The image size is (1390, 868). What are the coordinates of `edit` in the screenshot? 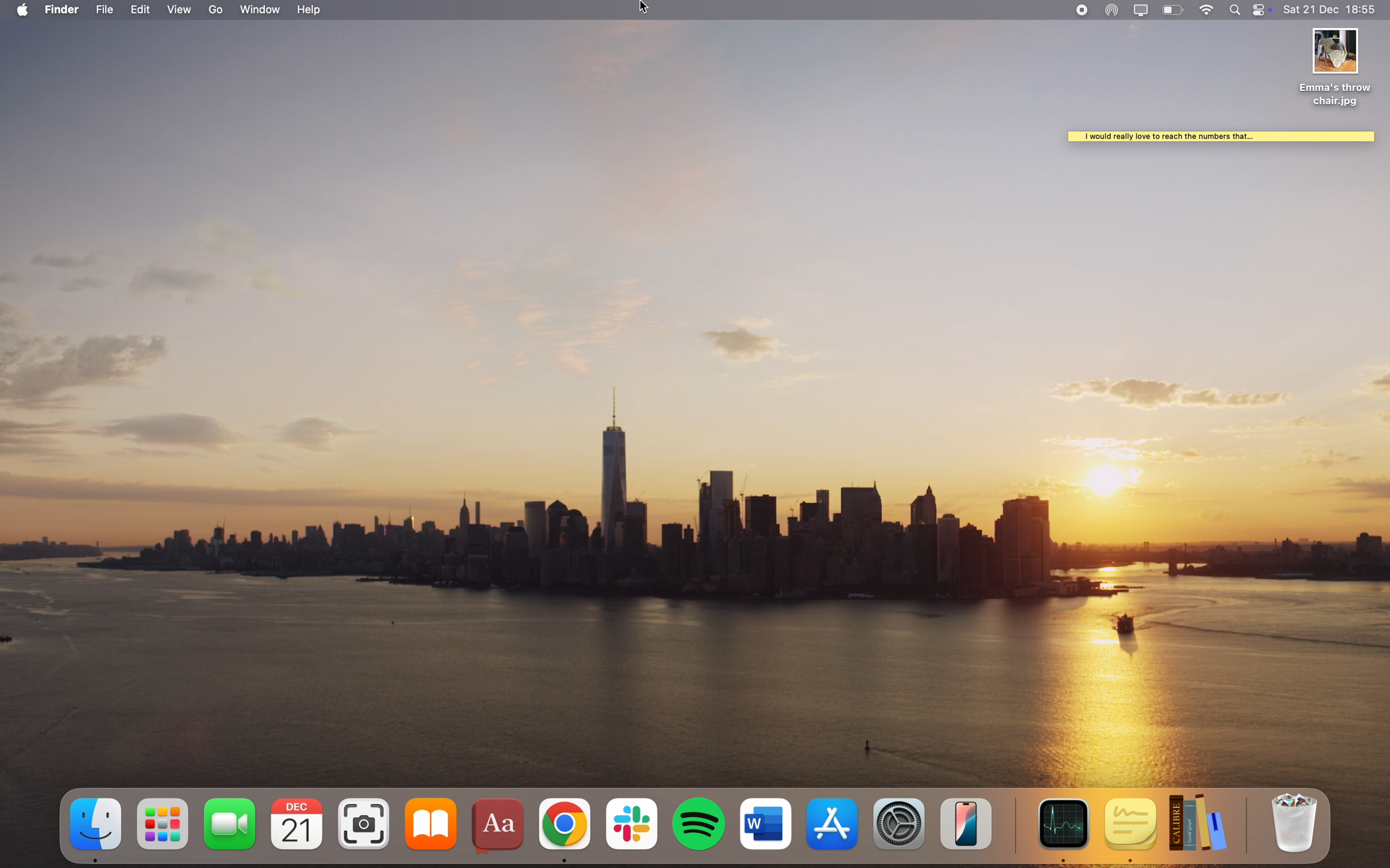 It's located at (141, 10).